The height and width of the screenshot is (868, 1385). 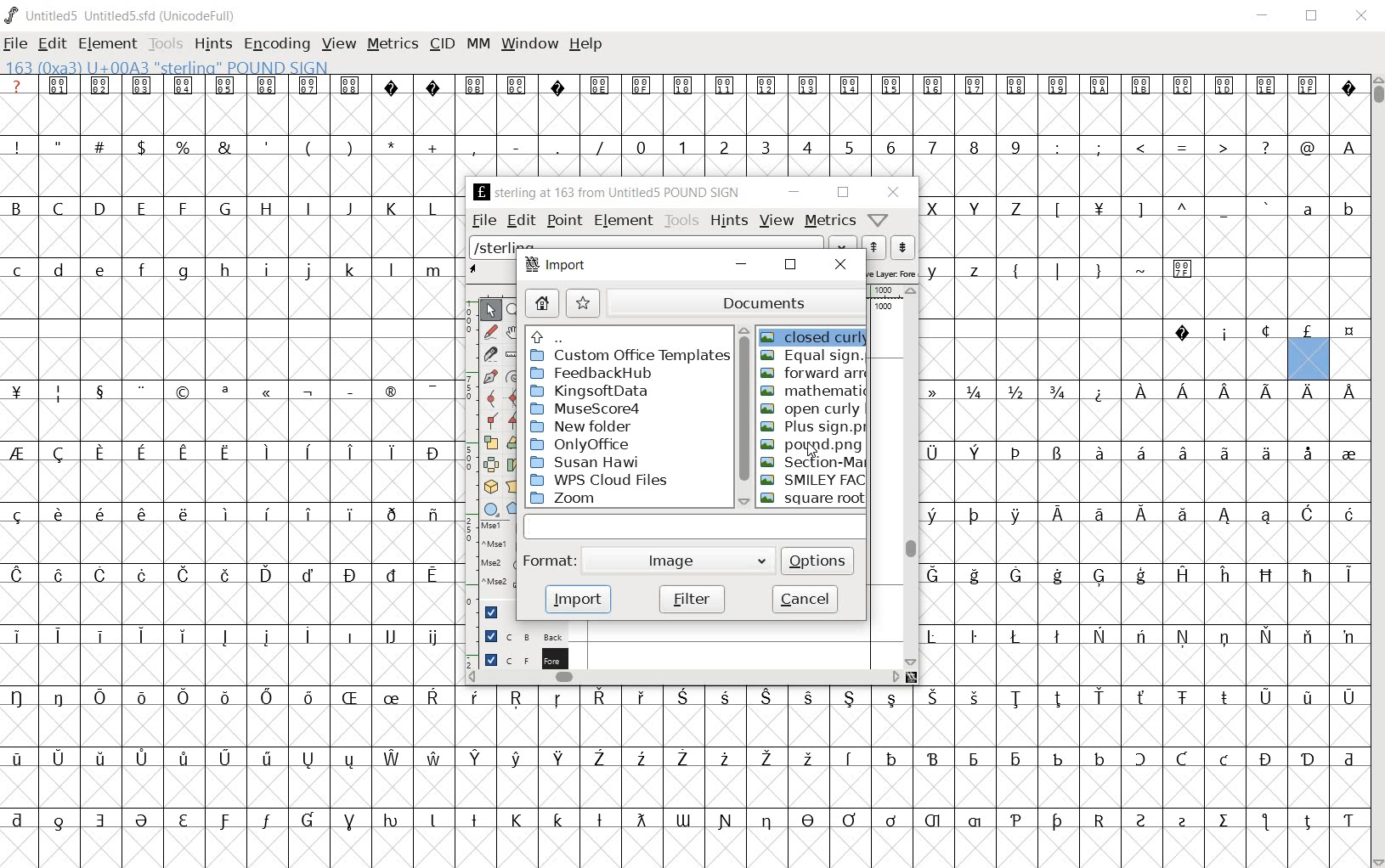 What do you see at coordinates (933, 697) in the screenshot?
I see `` at bounding box center [933, 697].